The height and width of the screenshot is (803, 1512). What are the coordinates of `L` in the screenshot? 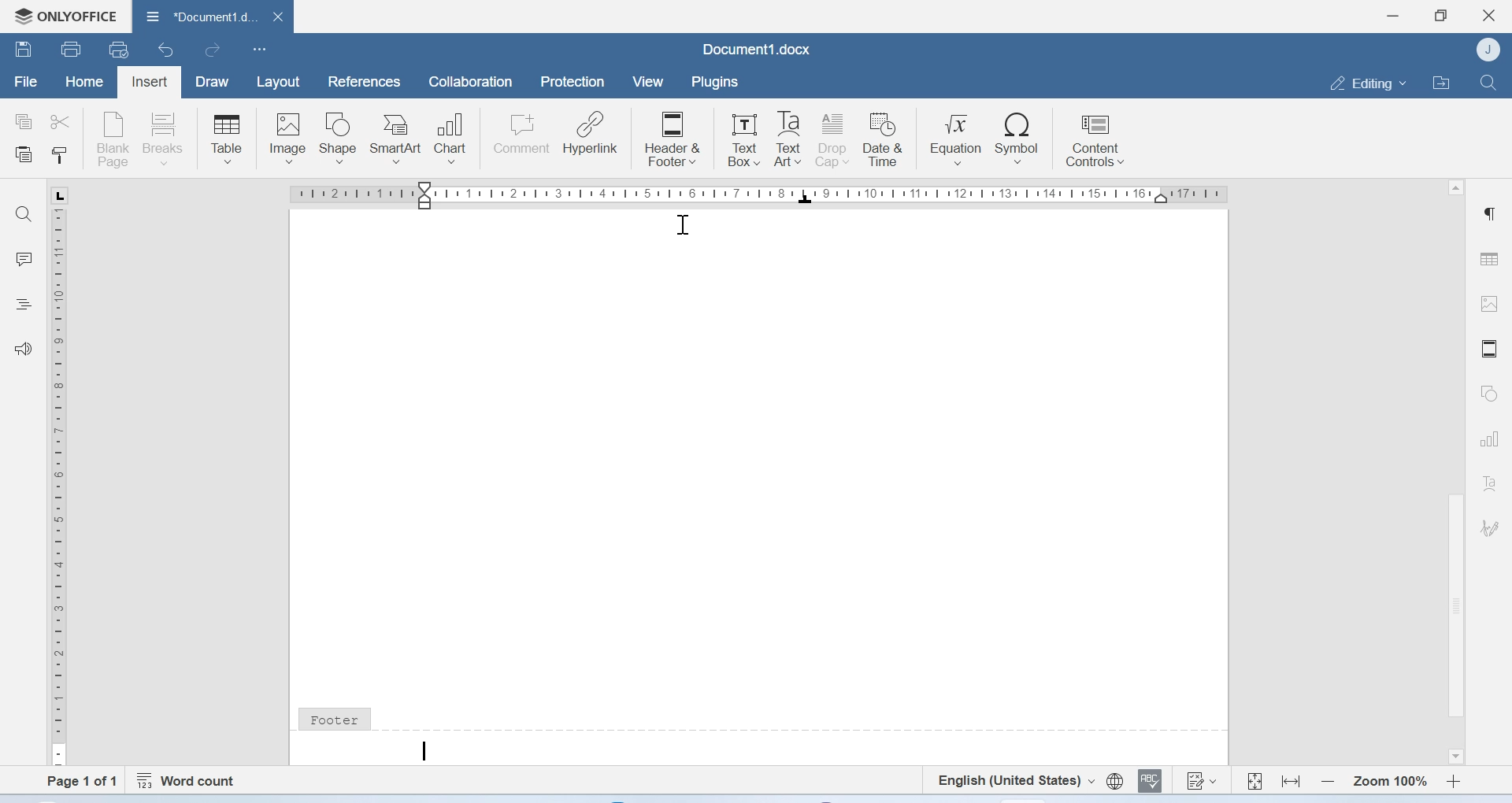 It's located at (58, 195).